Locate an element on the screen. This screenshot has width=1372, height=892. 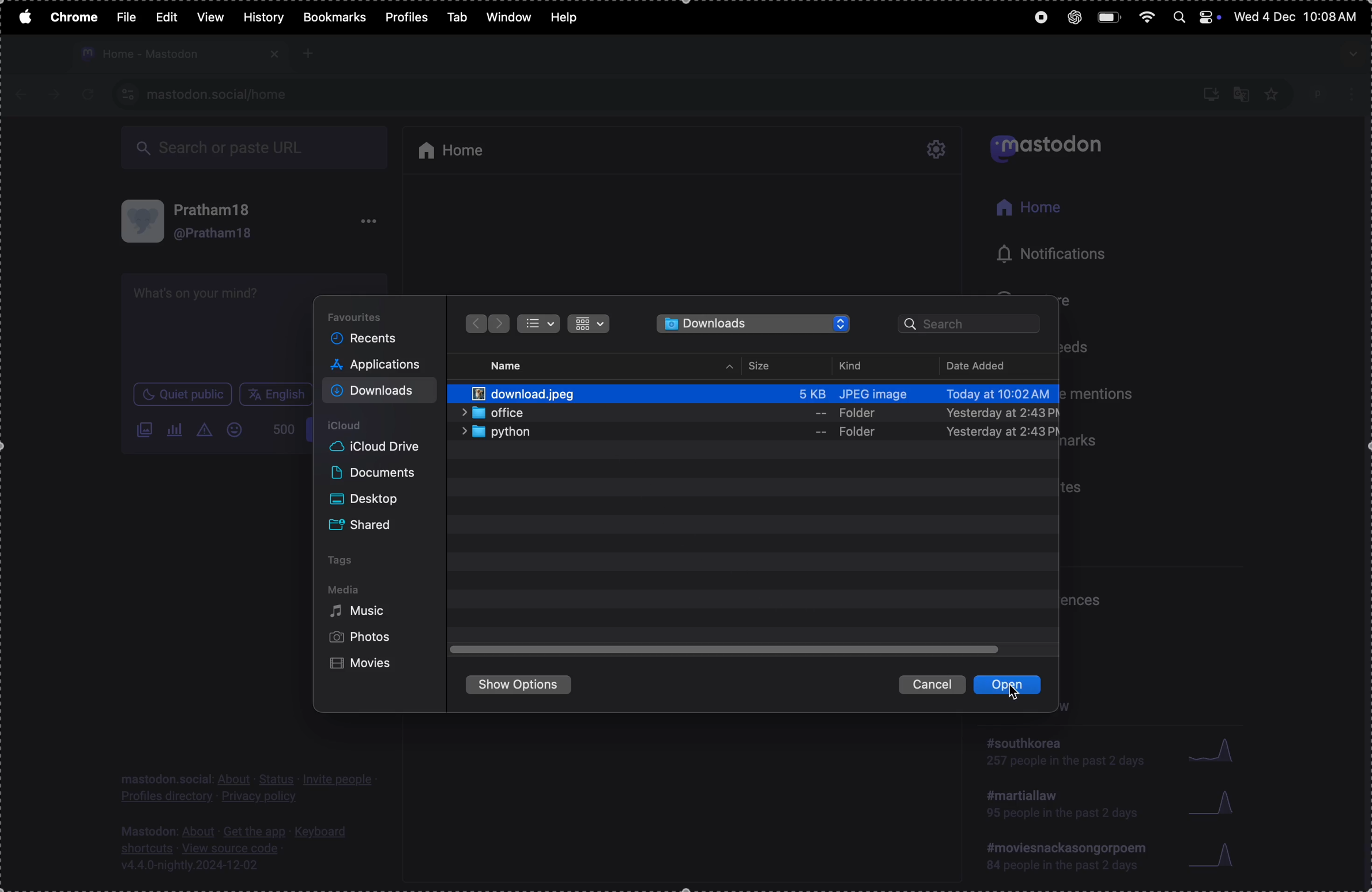
Privacy policy is located at coordinates (249, 788).